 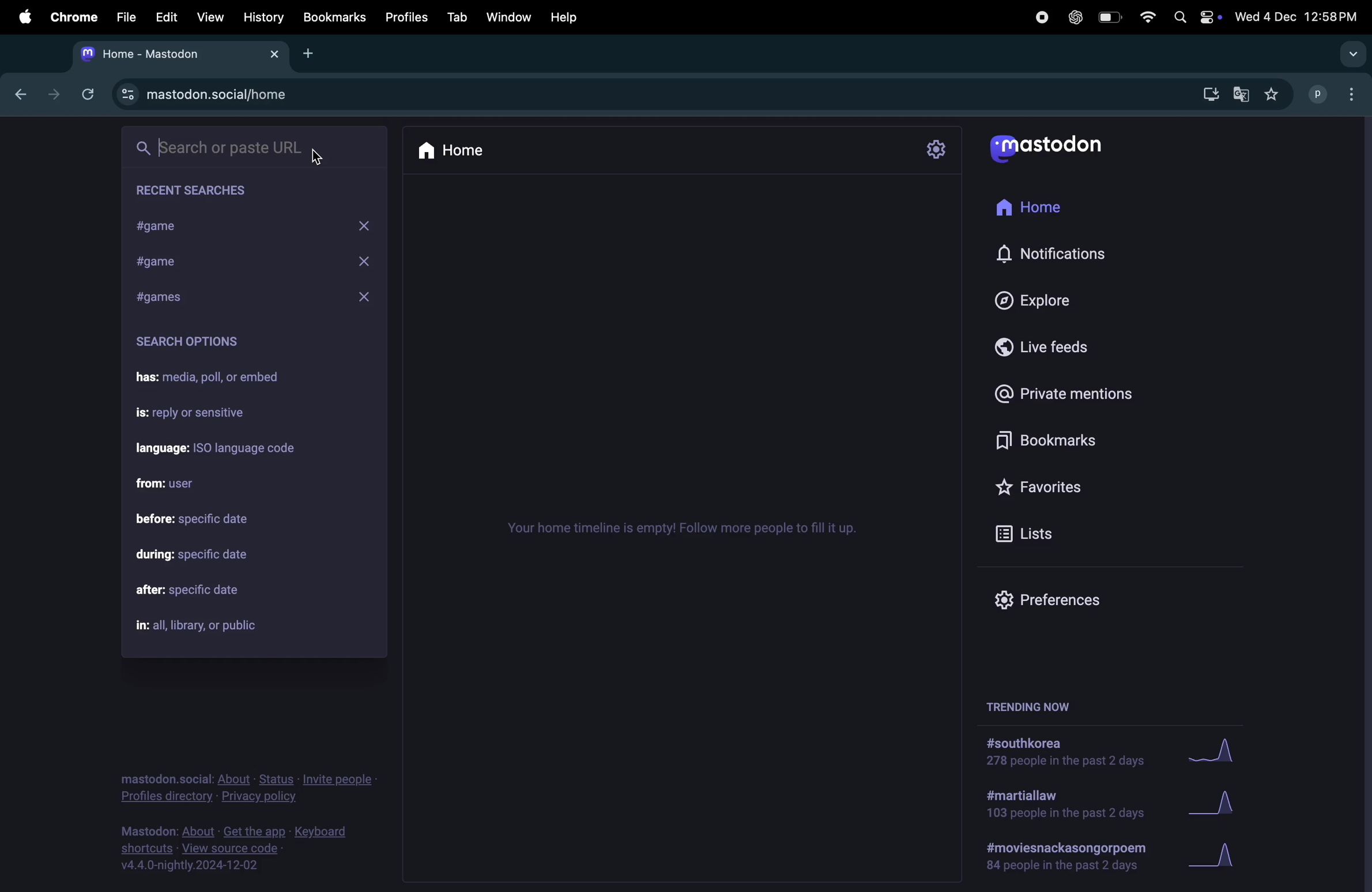 What do you see at coordinates (22, 16) in the screenshot?
I see `apple enu` at bounding box center [22, 16].